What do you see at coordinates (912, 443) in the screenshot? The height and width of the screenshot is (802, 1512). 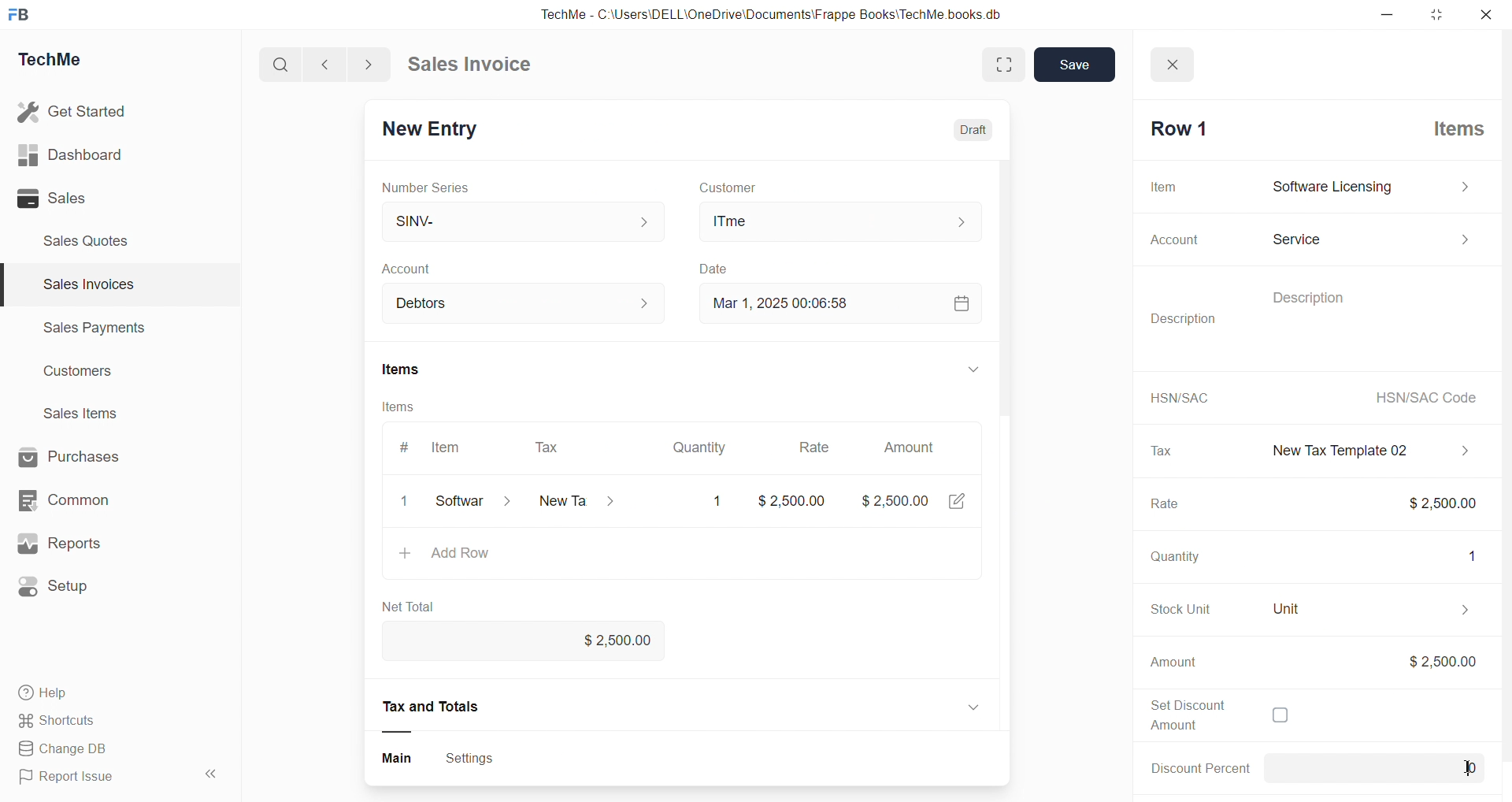 I see `Amount` at bounding box center [912, 443].